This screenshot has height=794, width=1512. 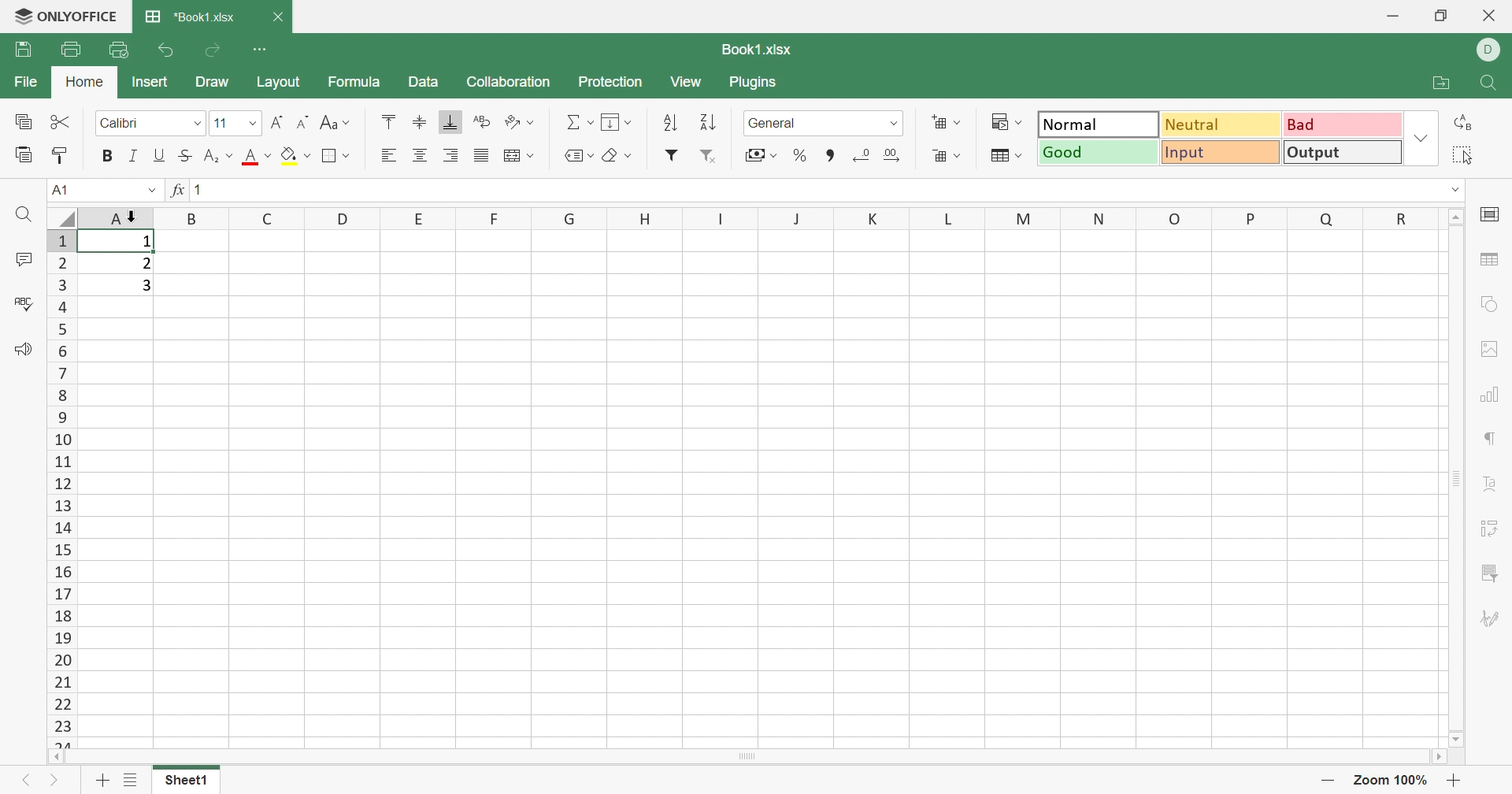 What do you see at coordinates (149, 287) in the screenshot?
I see `3` at bounding box center [149, 287].